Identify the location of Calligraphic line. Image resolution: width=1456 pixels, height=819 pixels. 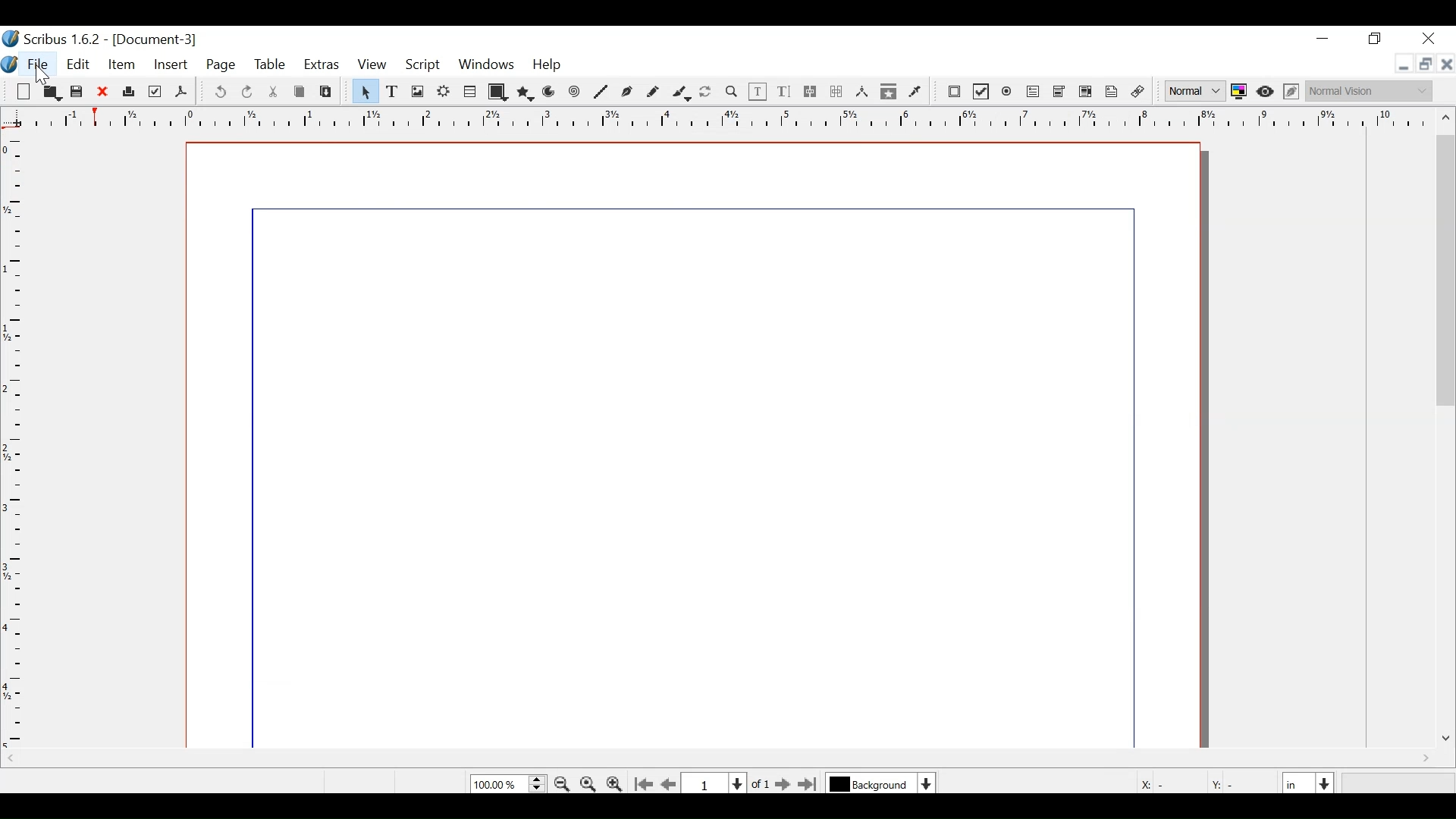
(682, 93).